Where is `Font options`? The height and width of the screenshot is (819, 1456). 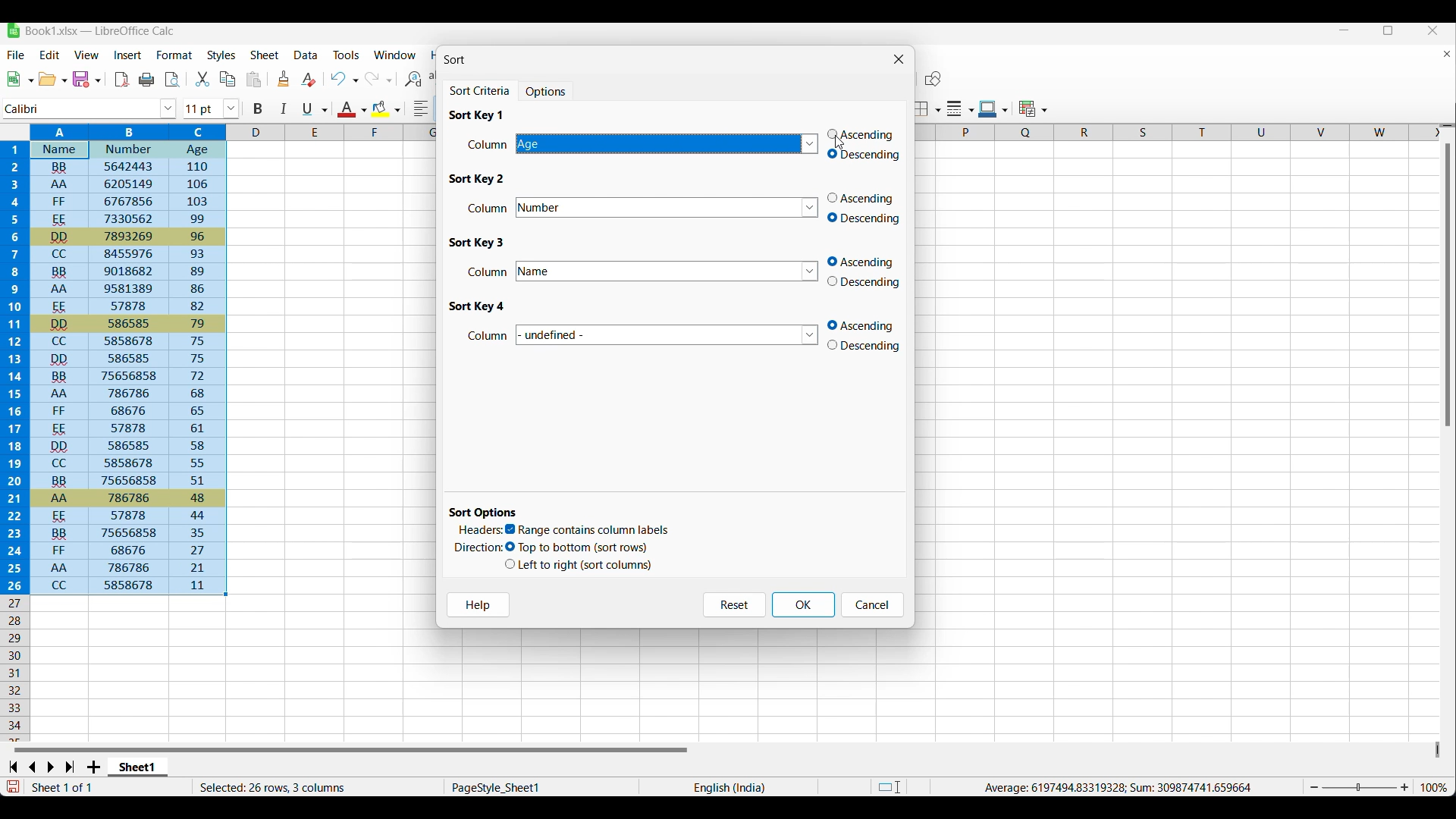 Font options is located at coordinates (168, 109).